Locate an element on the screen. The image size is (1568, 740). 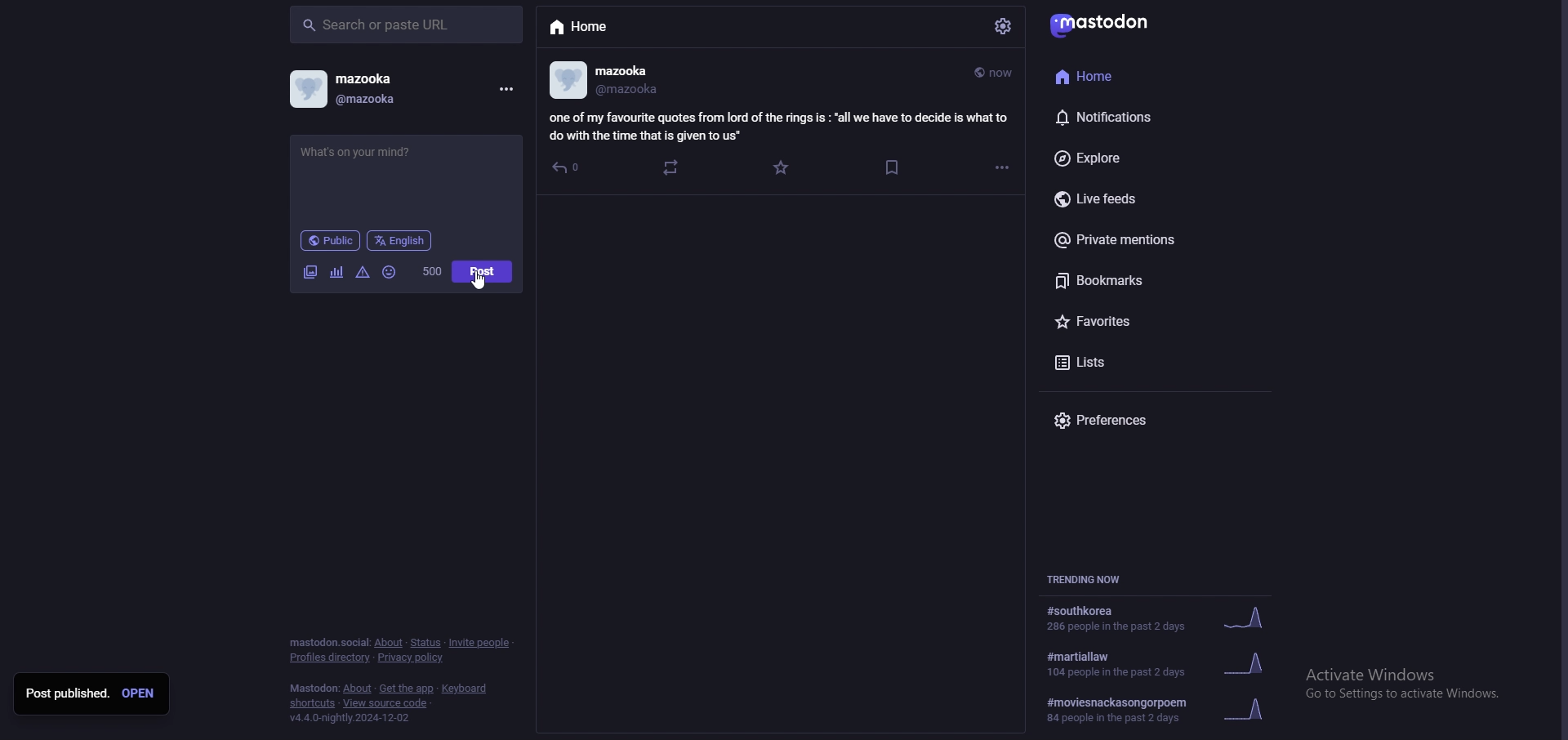
trending is located at coordinates (1157, 617).